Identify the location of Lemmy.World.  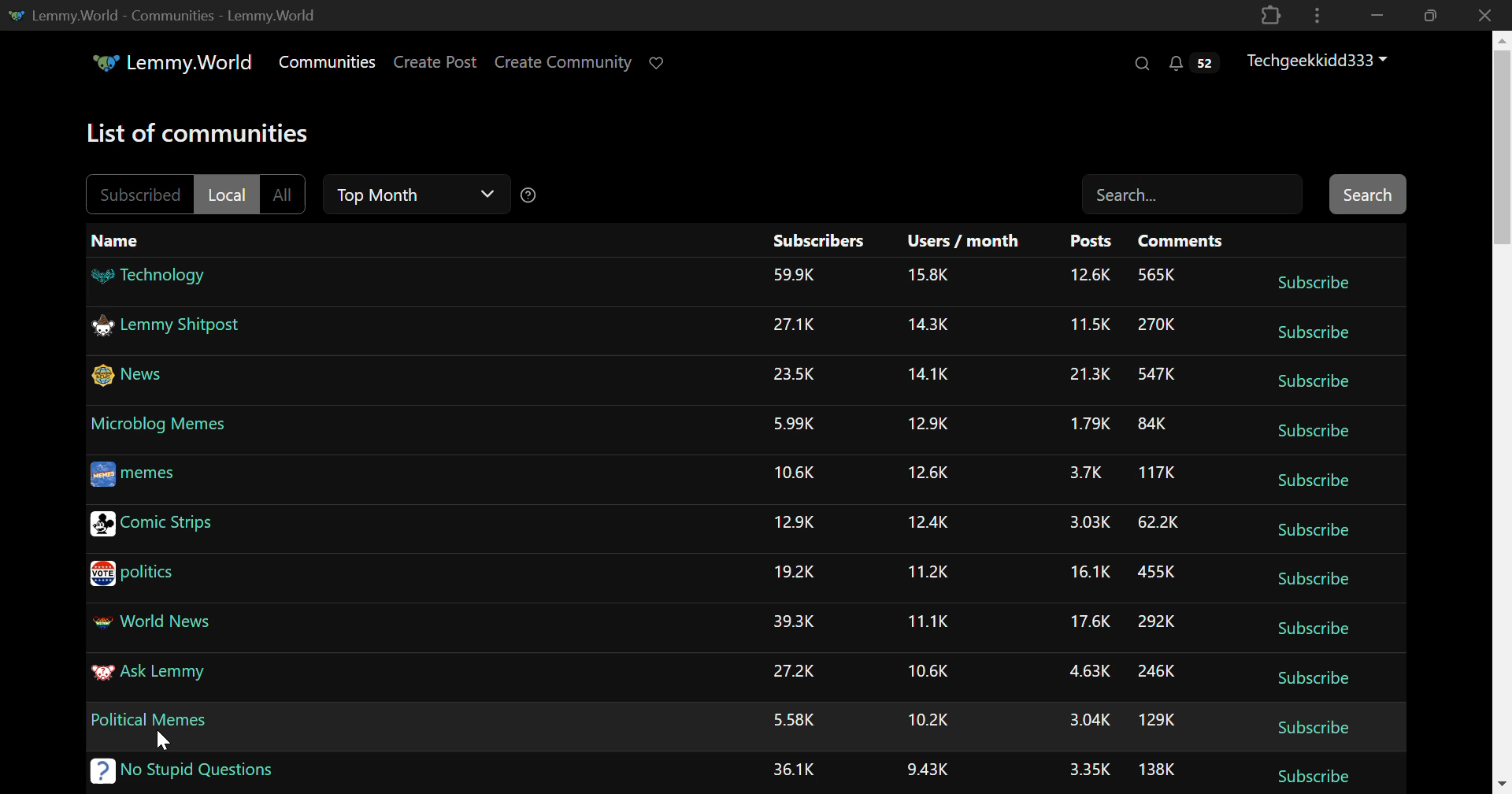
(171, 61).